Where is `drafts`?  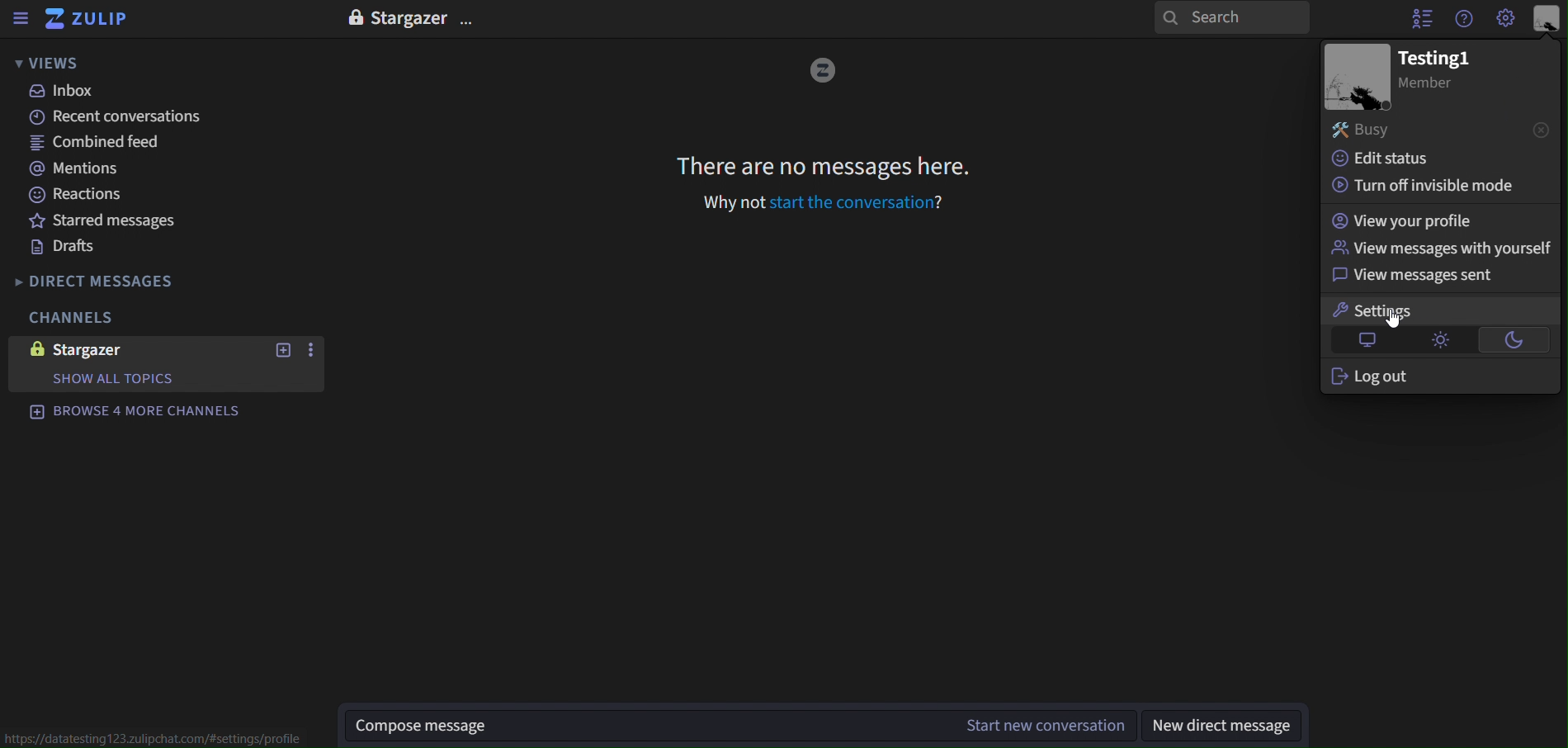 drafts is located at coordinates (61, 249).